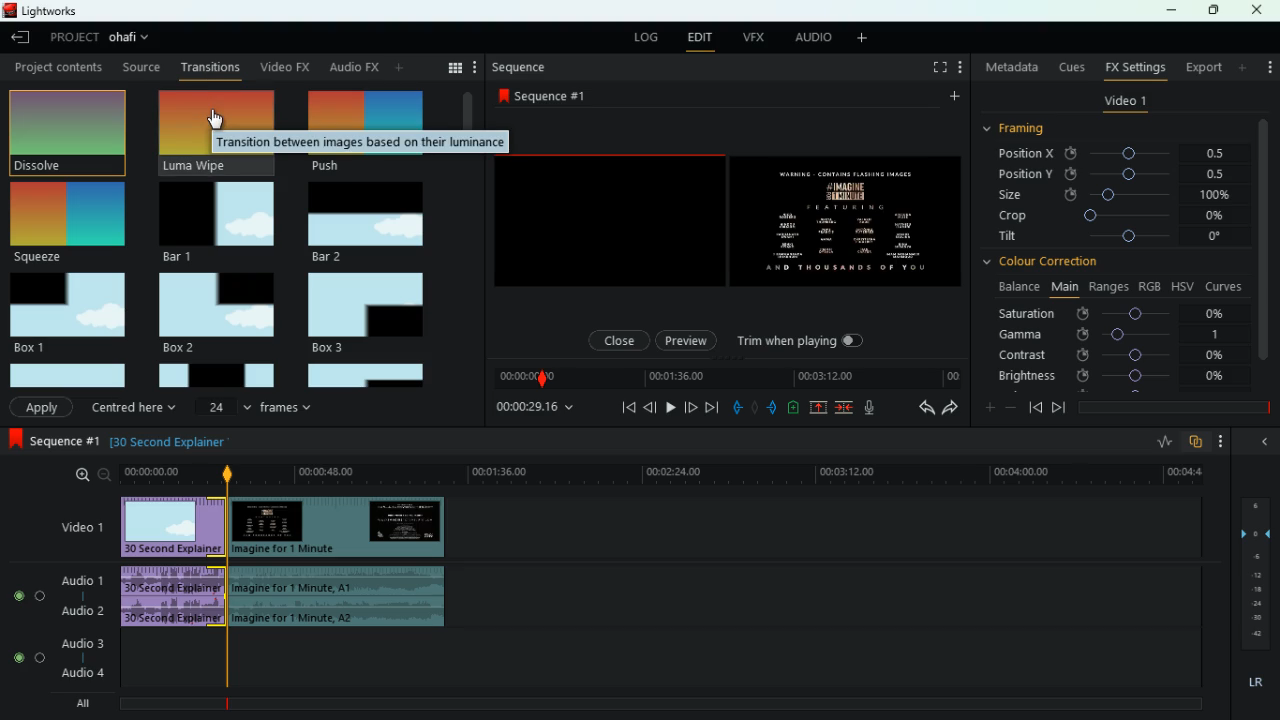 The height and width of the screenshot is (720, 1280). I want to click on cursor, so click(221, 117).